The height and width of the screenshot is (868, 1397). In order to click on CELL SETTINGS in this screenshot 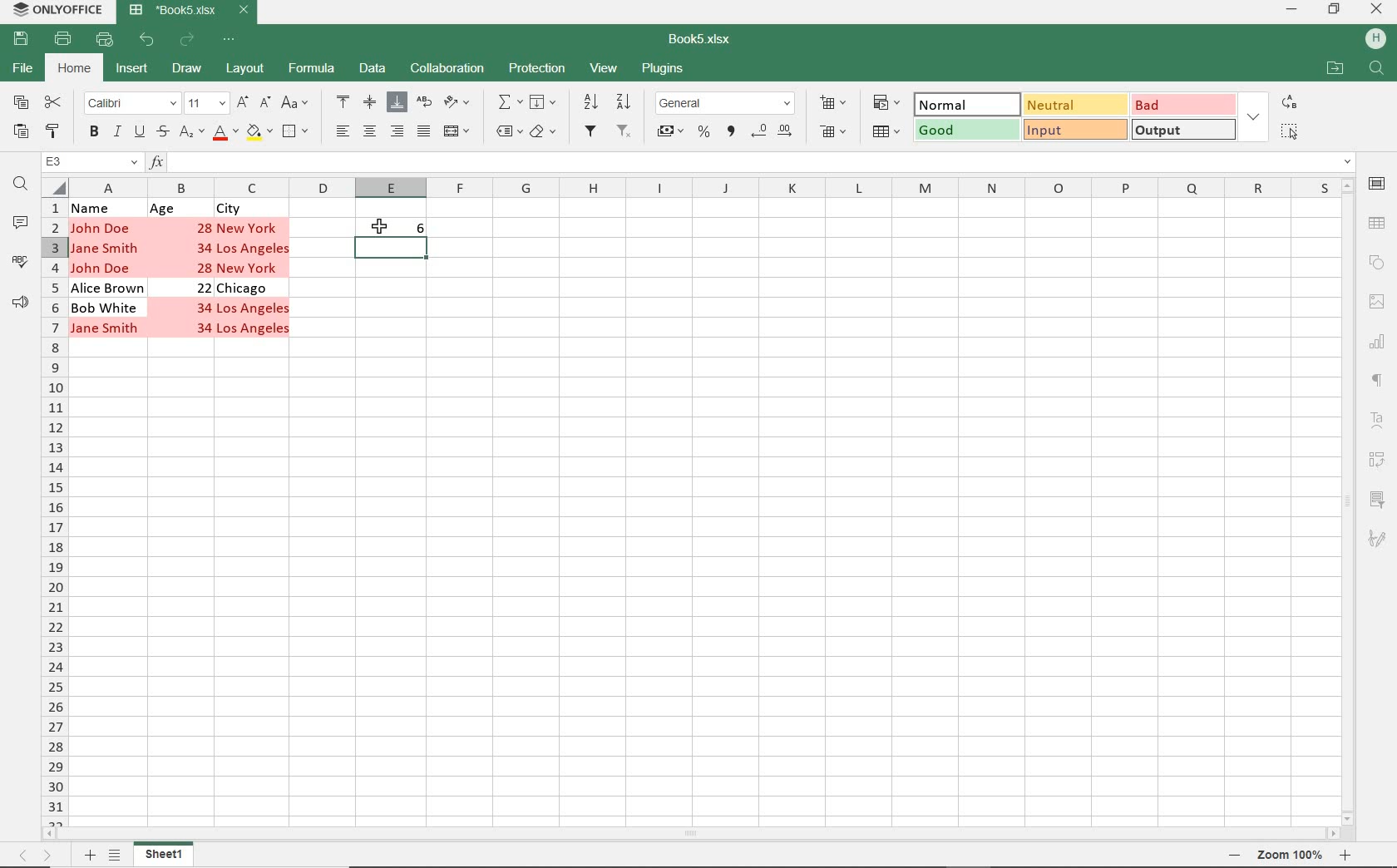, I will do `click(1375, 184)`.